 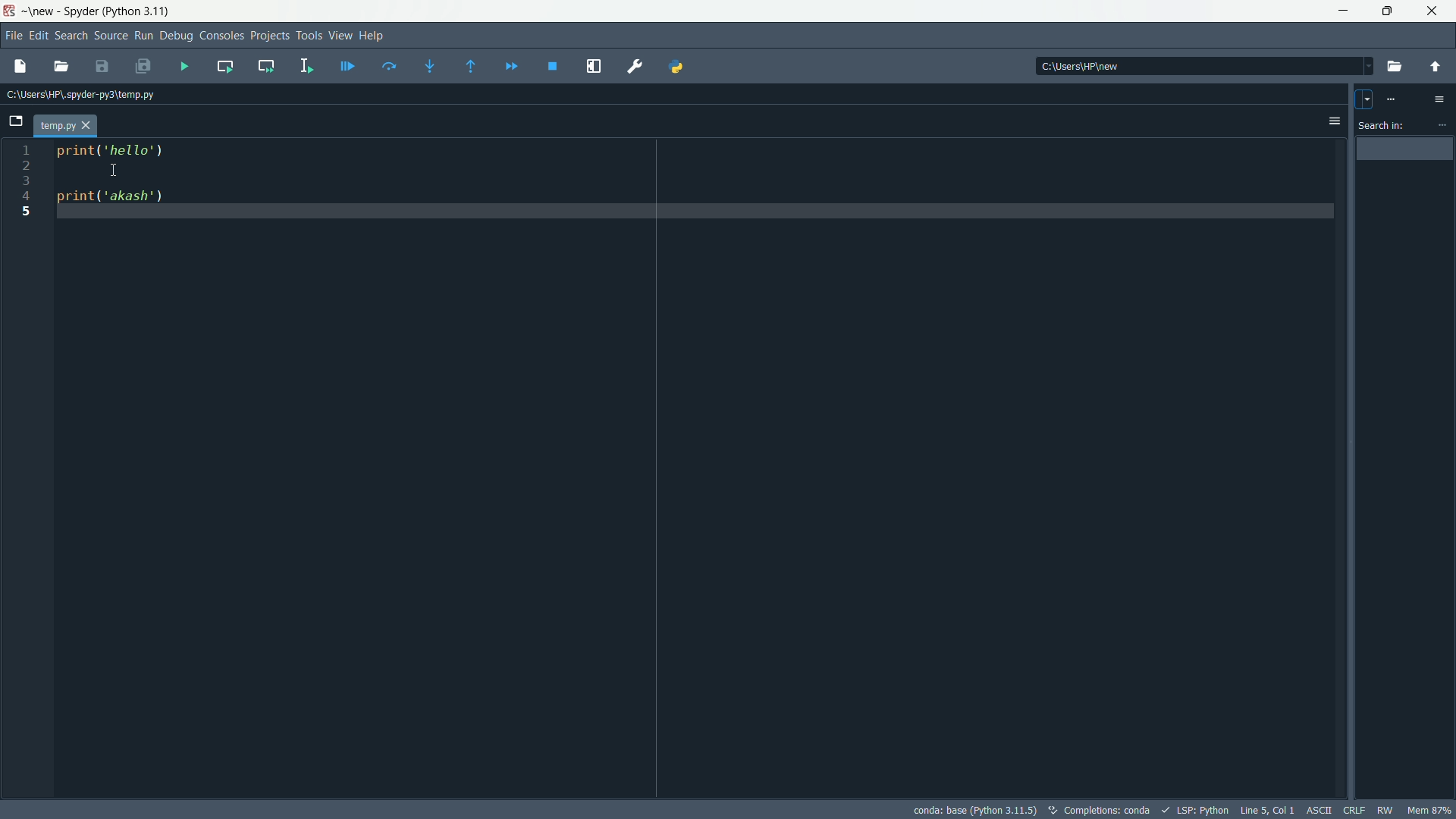 I want to click on pythonpath manager, so click(x=676, y=68).